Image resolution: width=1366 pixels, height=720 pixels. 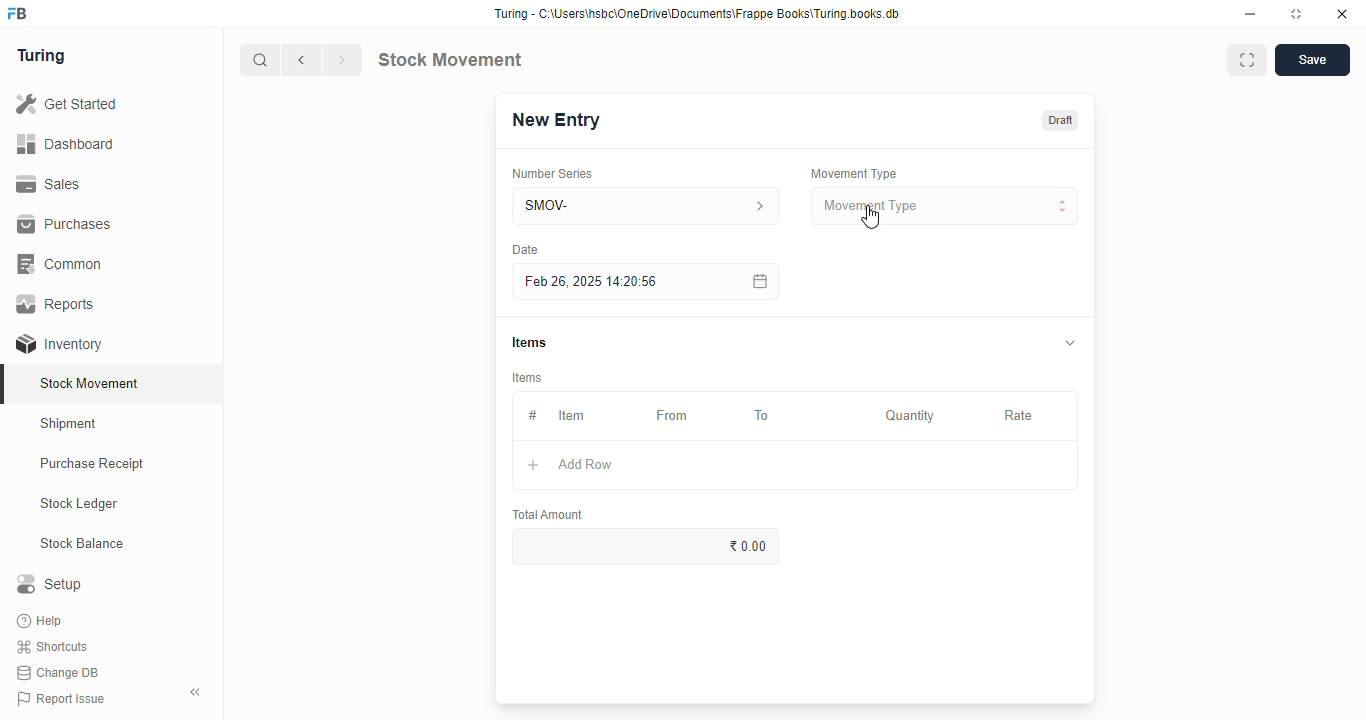 I want to click on draft, so click(x=1062, y=120).